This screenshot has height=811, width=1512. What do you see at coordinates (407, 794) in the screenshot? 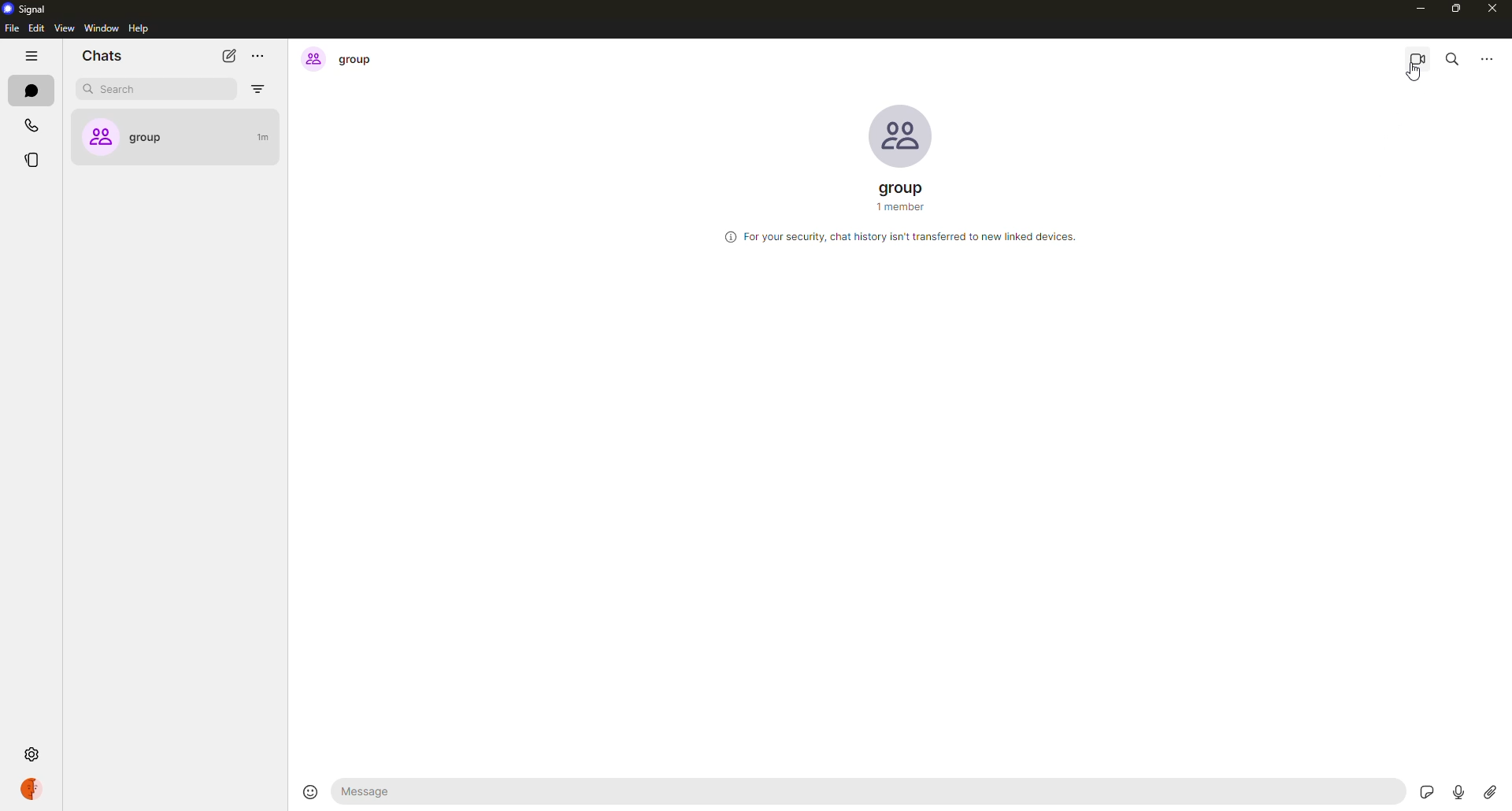
I see `message` at bounding box center [407, 794].